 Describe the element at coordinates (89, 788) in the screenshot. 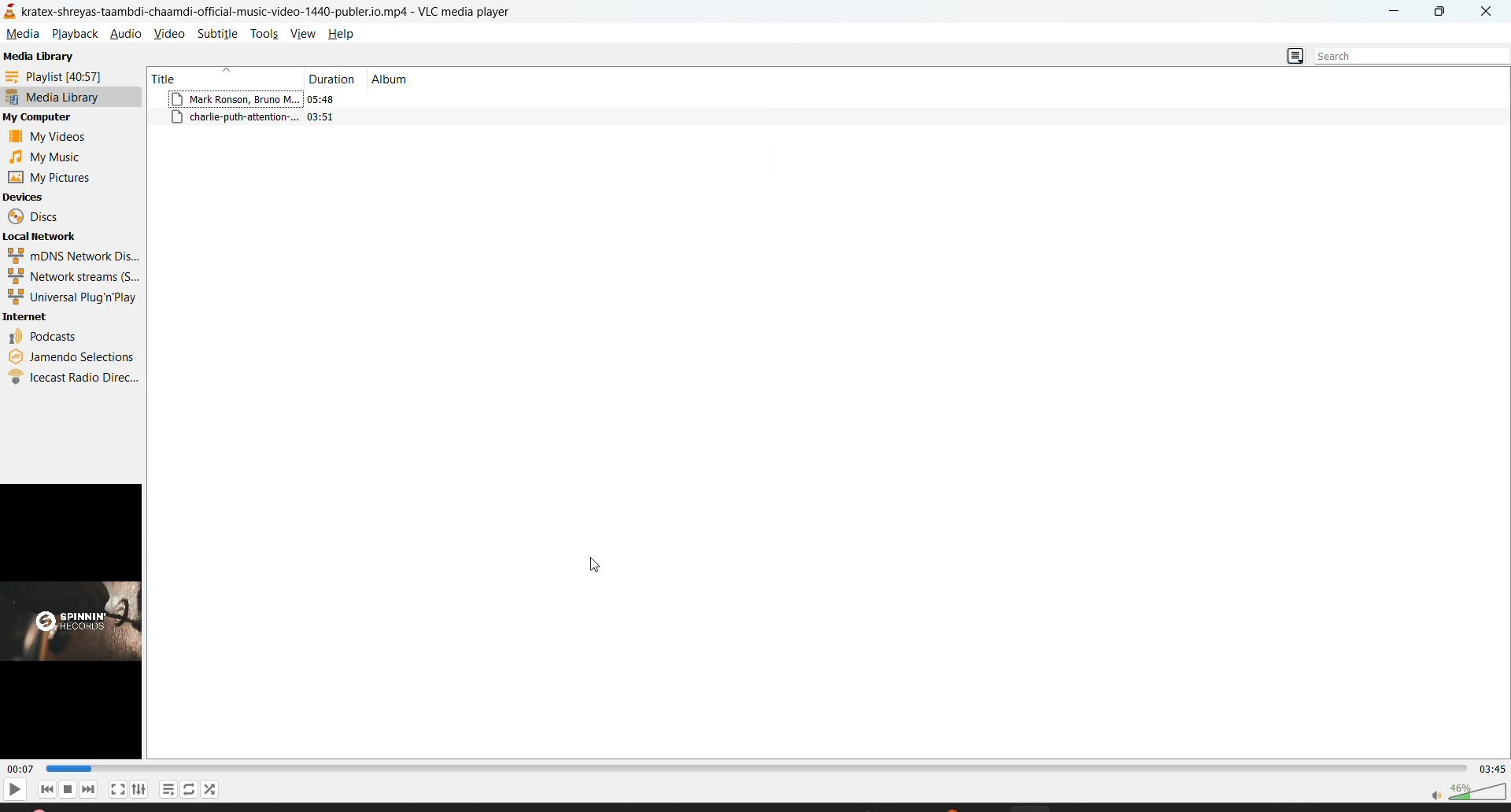

I see `next` at that location.